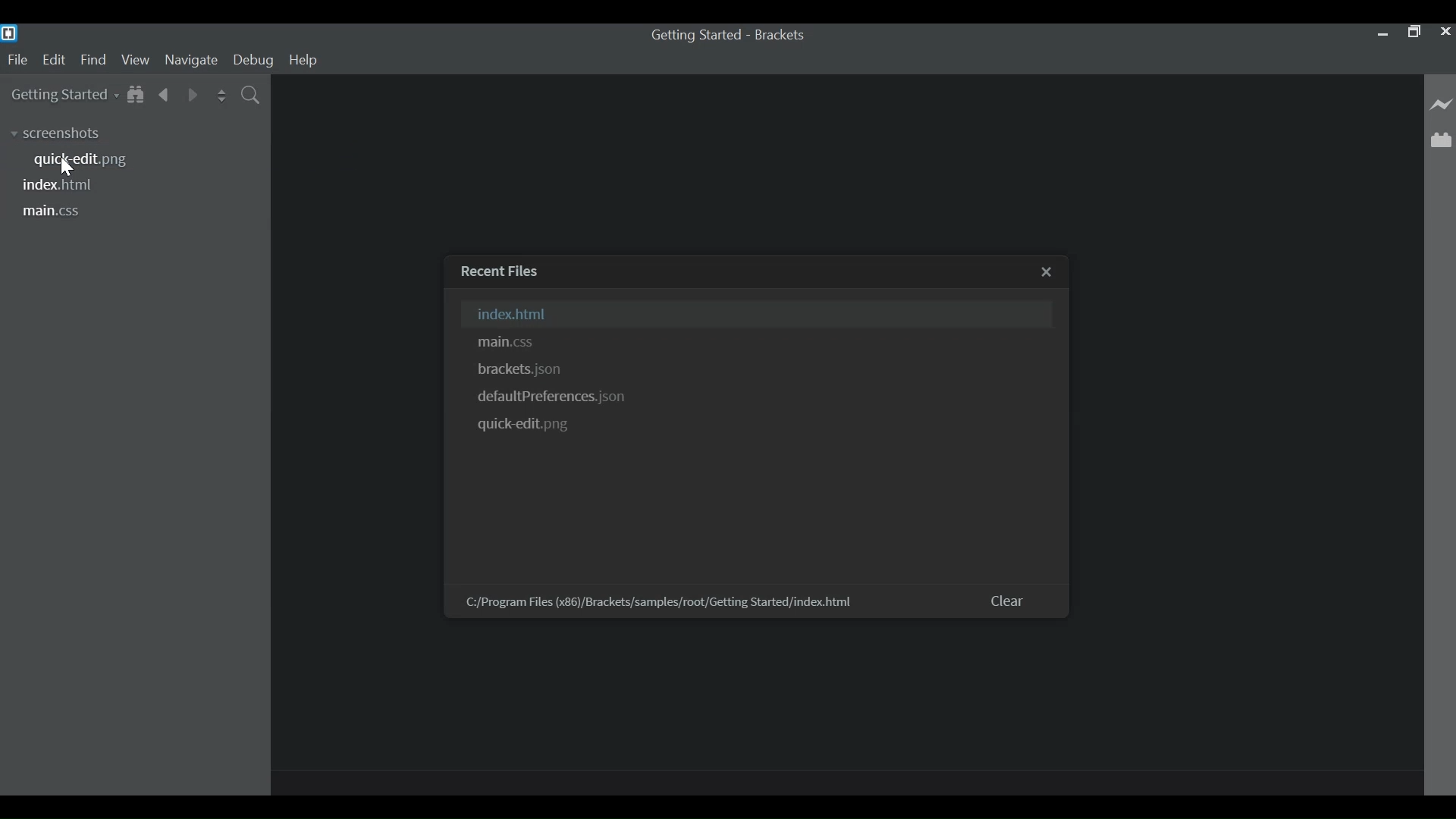  What do you see at coordinates (136, 60) in the screenshot?
I see `View` at bounding box center [136, 60].